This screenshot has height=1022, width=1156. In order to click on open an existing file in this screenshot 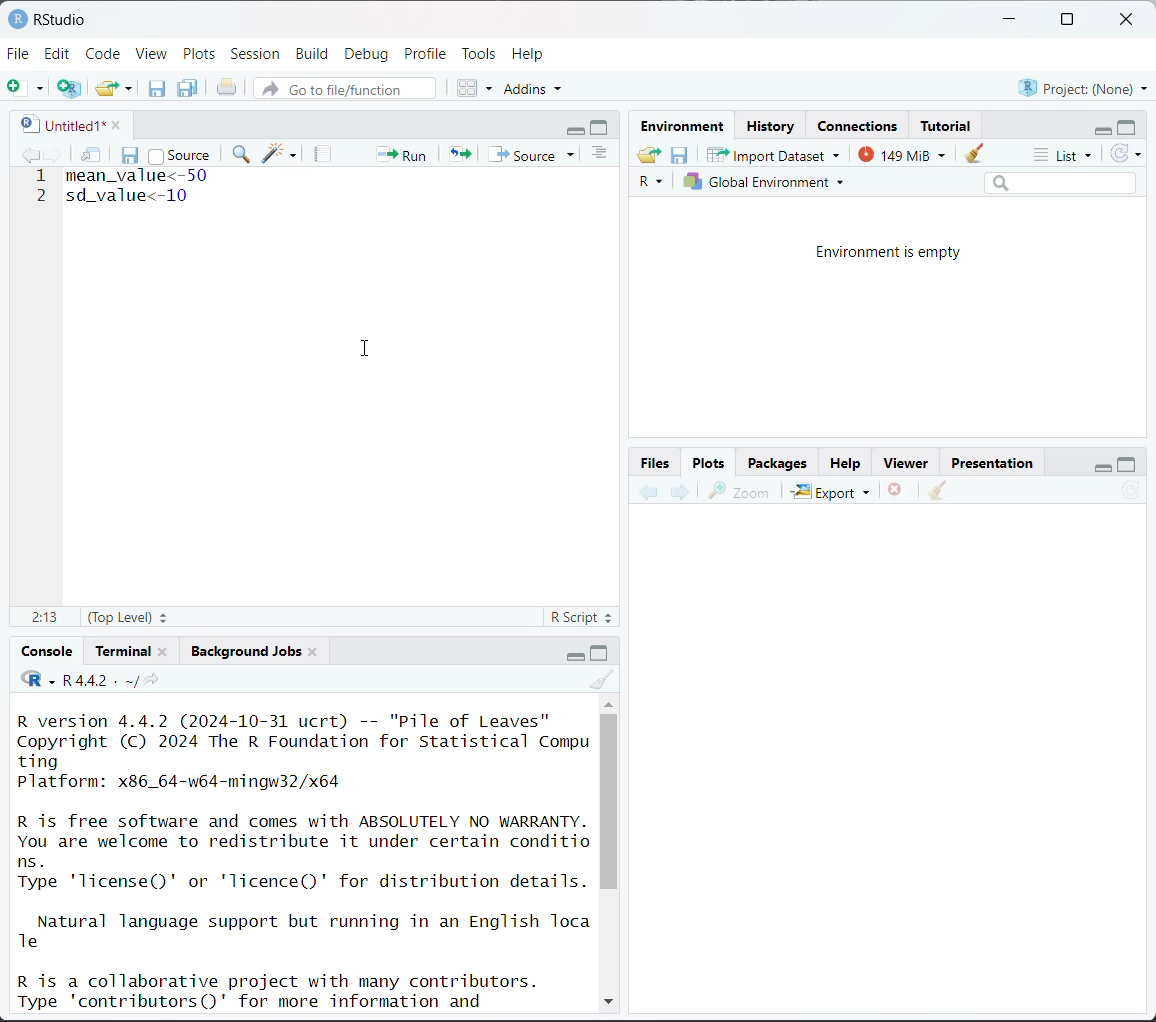, I will do `click(107, 85)`.